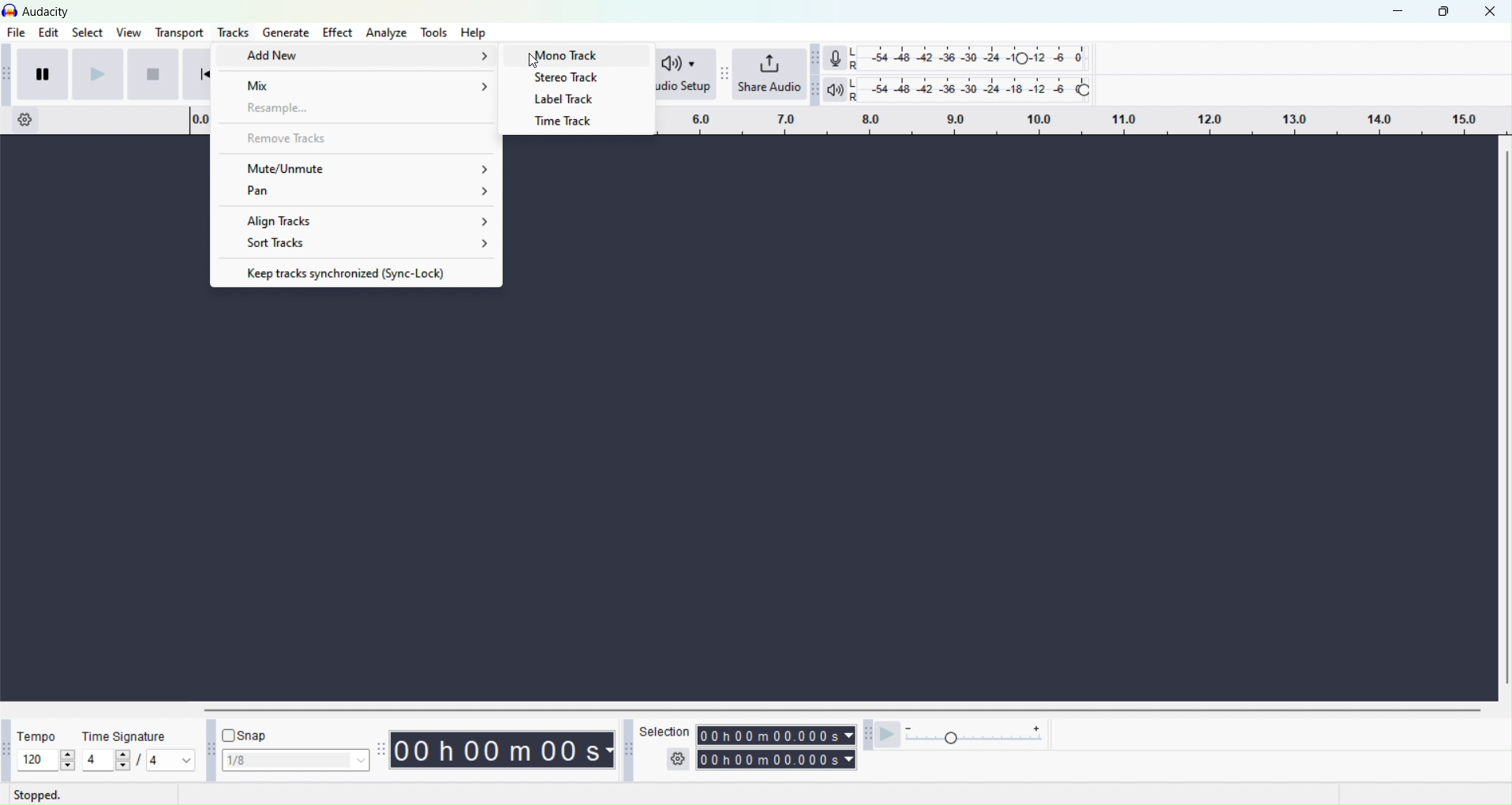 The height and width of the screenshot is (805, 1512). Describe the element at coordinates (573, 77) in the screenshot. I see `Stereo track` at that location.